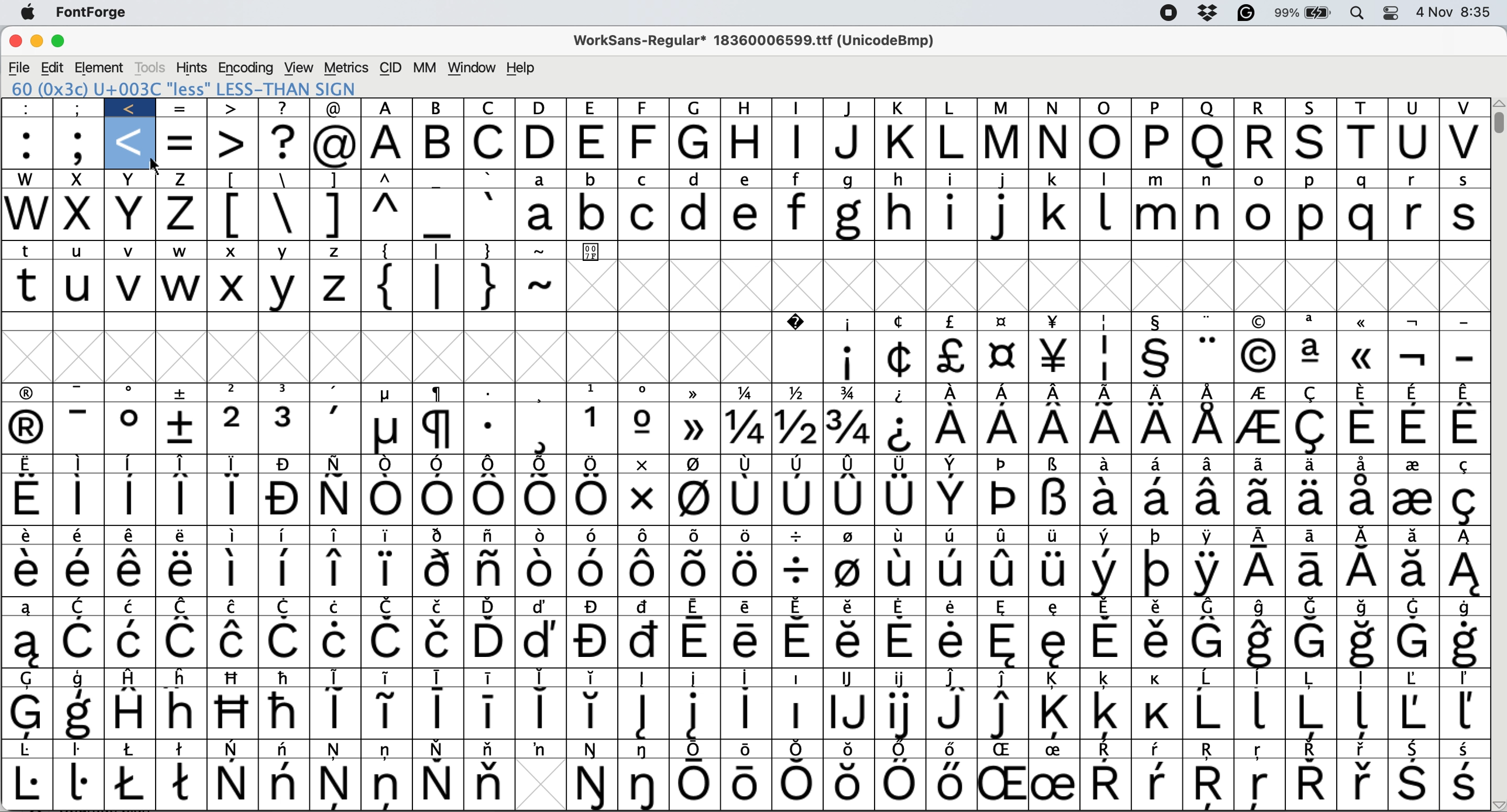 The width and height of the screenshot is (1507, 812). Describe the element at coordinates (848, 429) in the screenshot. I see `Symbol` at that location.